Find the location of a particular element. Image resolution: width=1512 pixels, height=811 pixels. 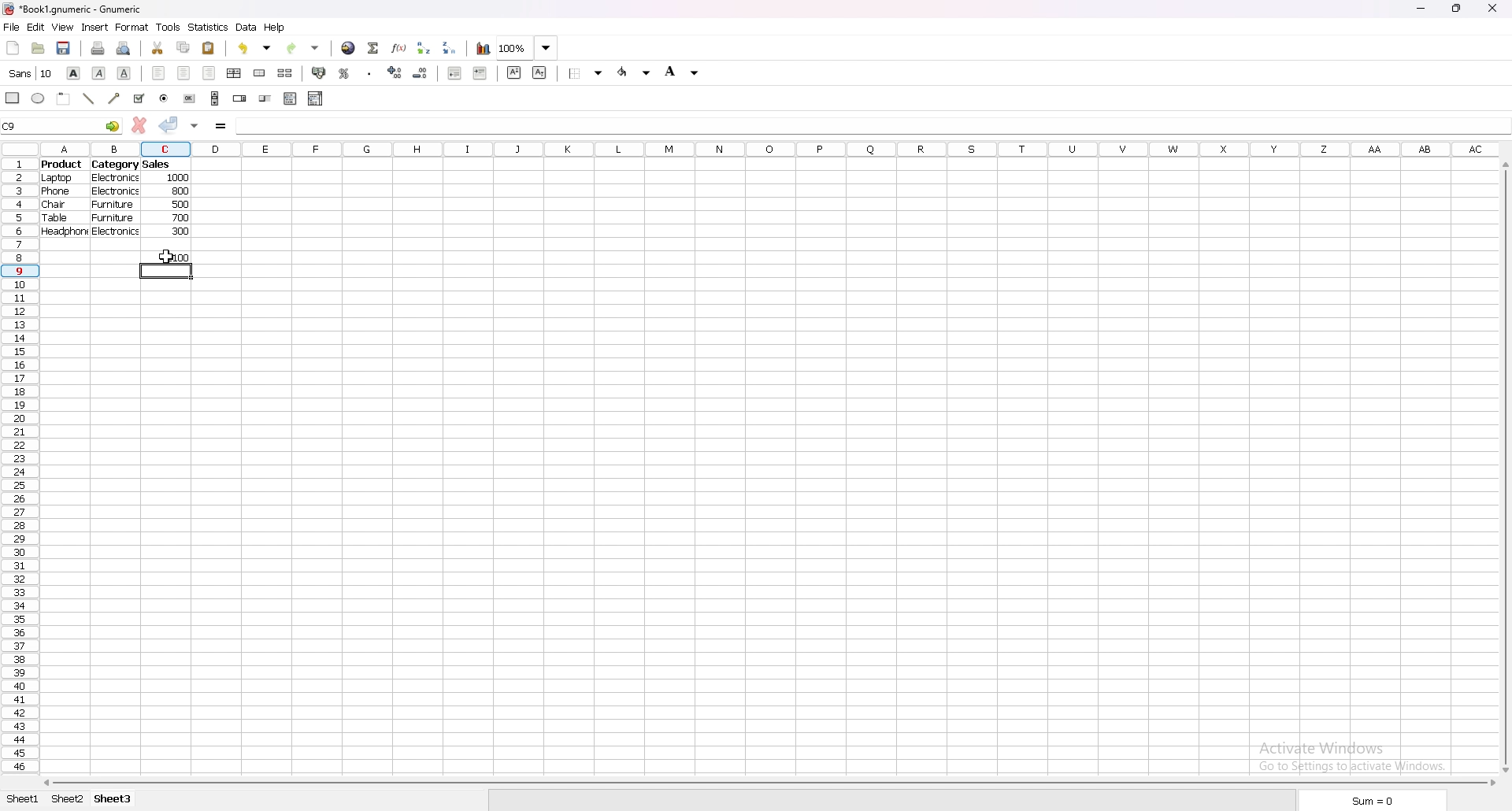

product is located at coordinates (62, 165).